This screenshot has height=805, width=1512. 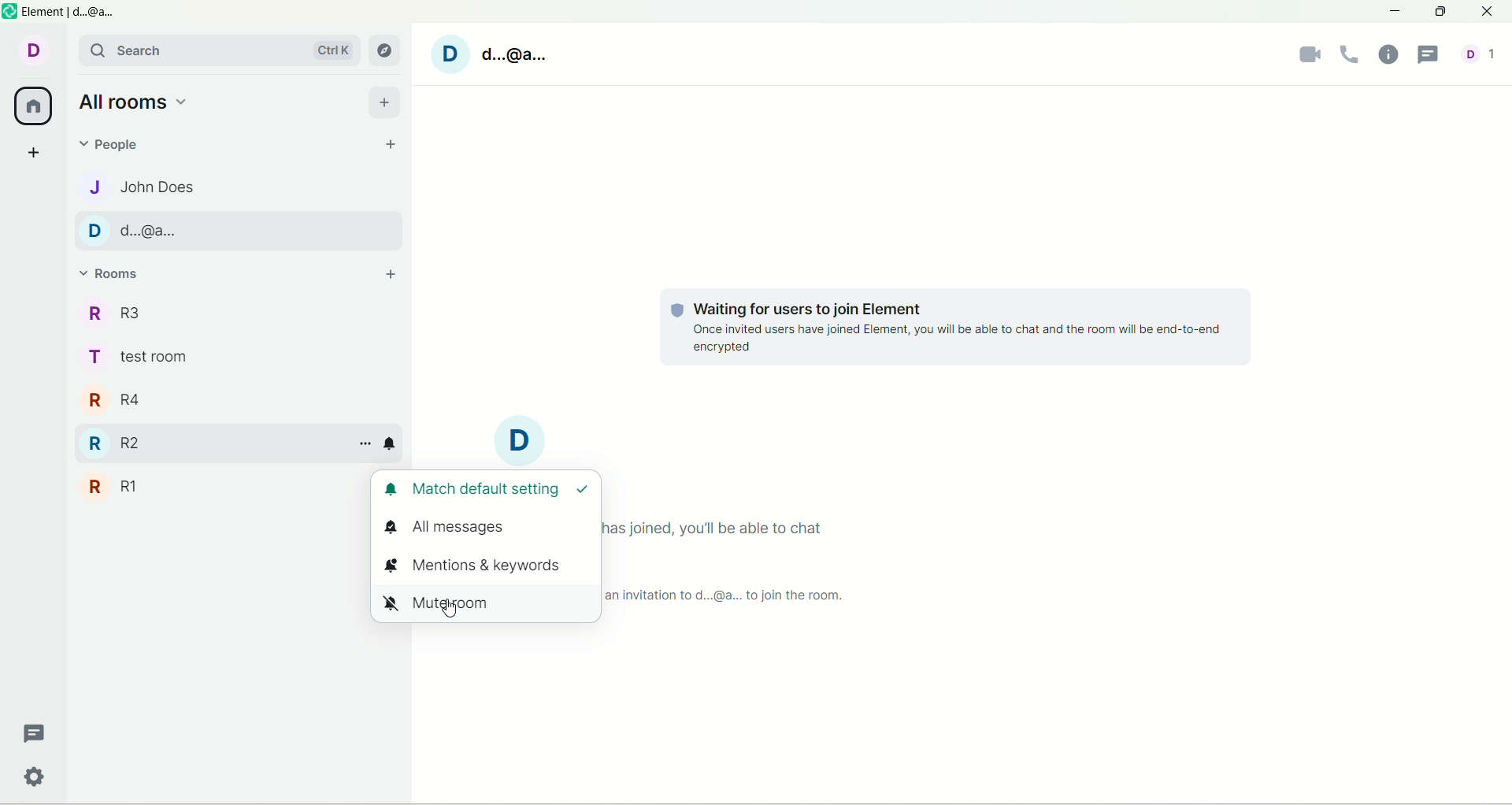 I want to click on cursor, so click(x=450, y=614).